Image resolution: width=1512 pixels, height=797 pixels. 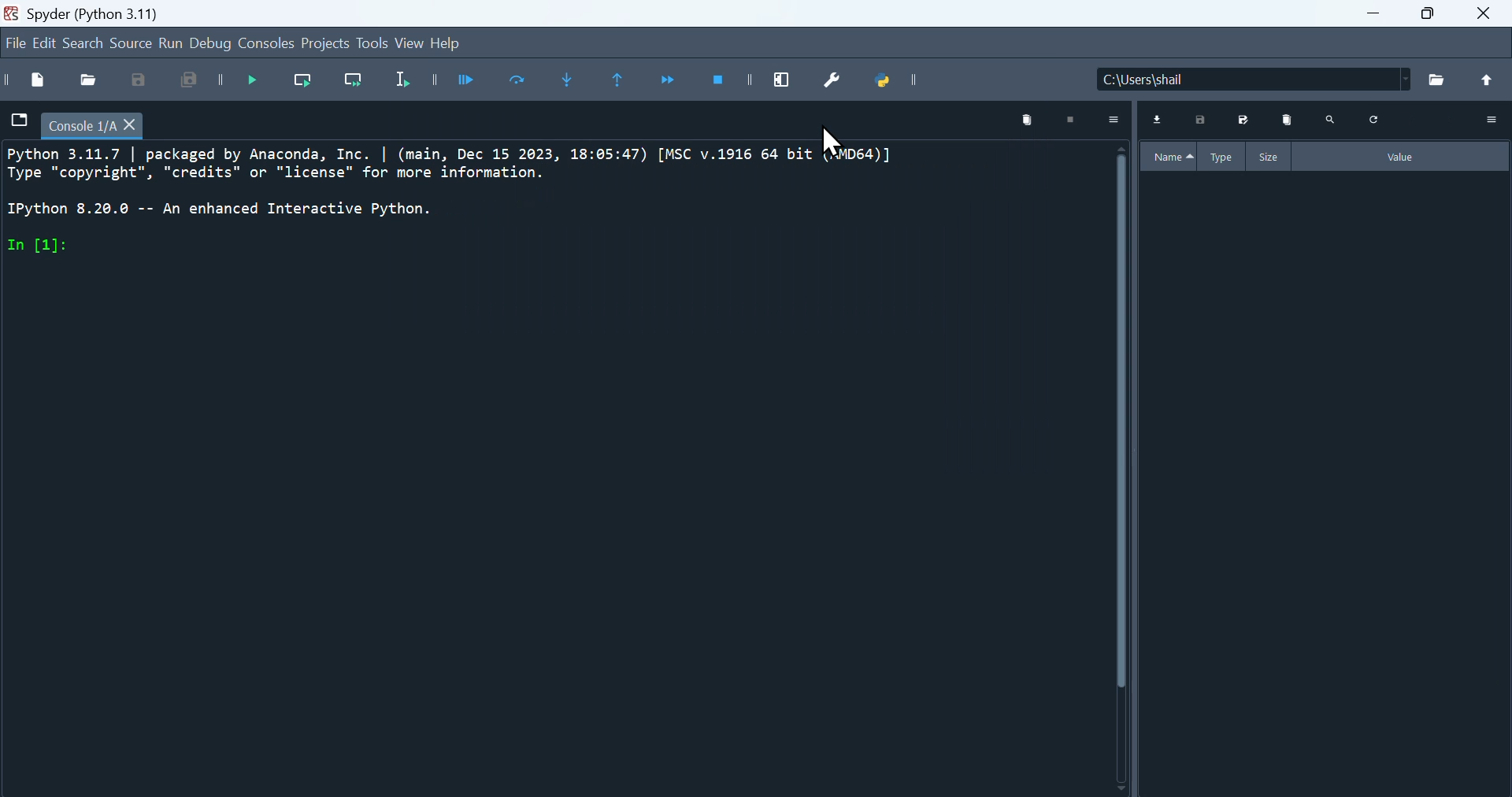 I want to click on Tools, so click(x=369, y=44).